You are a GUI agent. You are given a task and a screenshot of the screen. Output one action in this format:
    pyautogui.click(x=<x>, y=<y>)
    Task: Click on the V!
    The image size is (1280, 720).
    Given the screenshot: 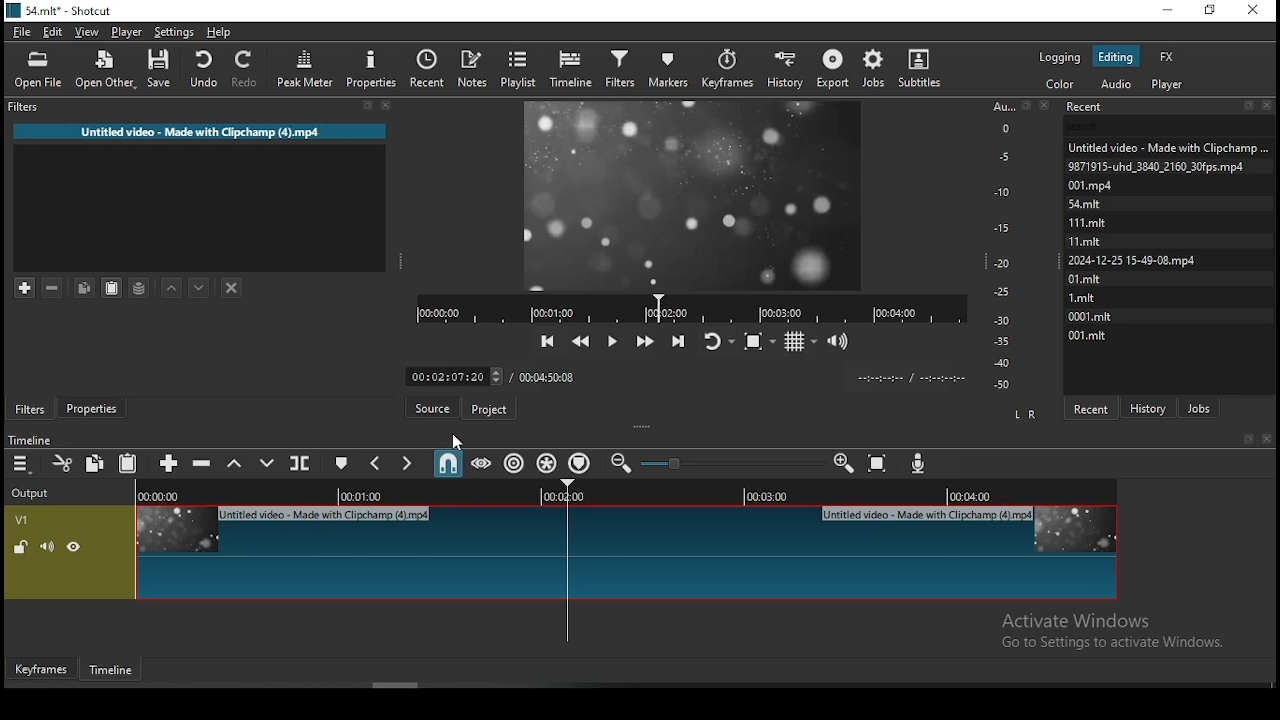 What is the action you would take?
    pyautogui.click(x=19, y=518)
    